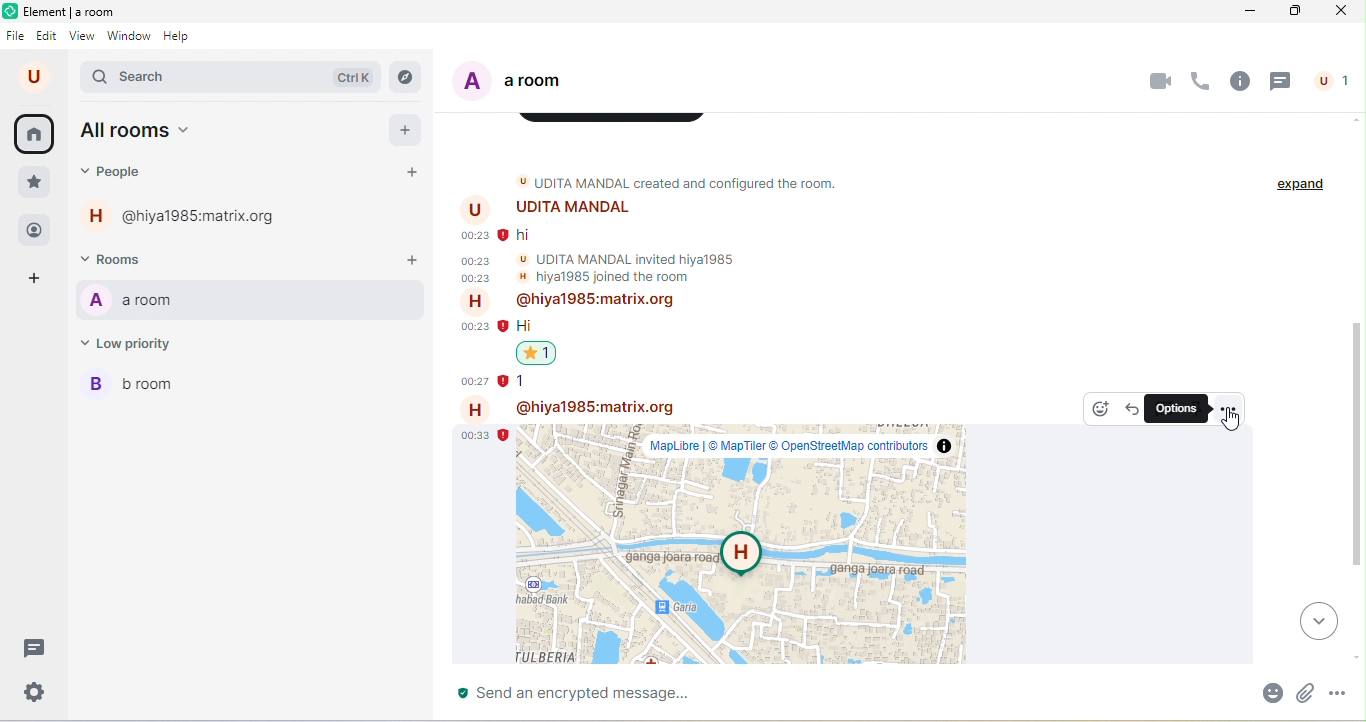 The width and height of the screenshot is (1366, 722). I want to click on room info, so click(1240, 80).